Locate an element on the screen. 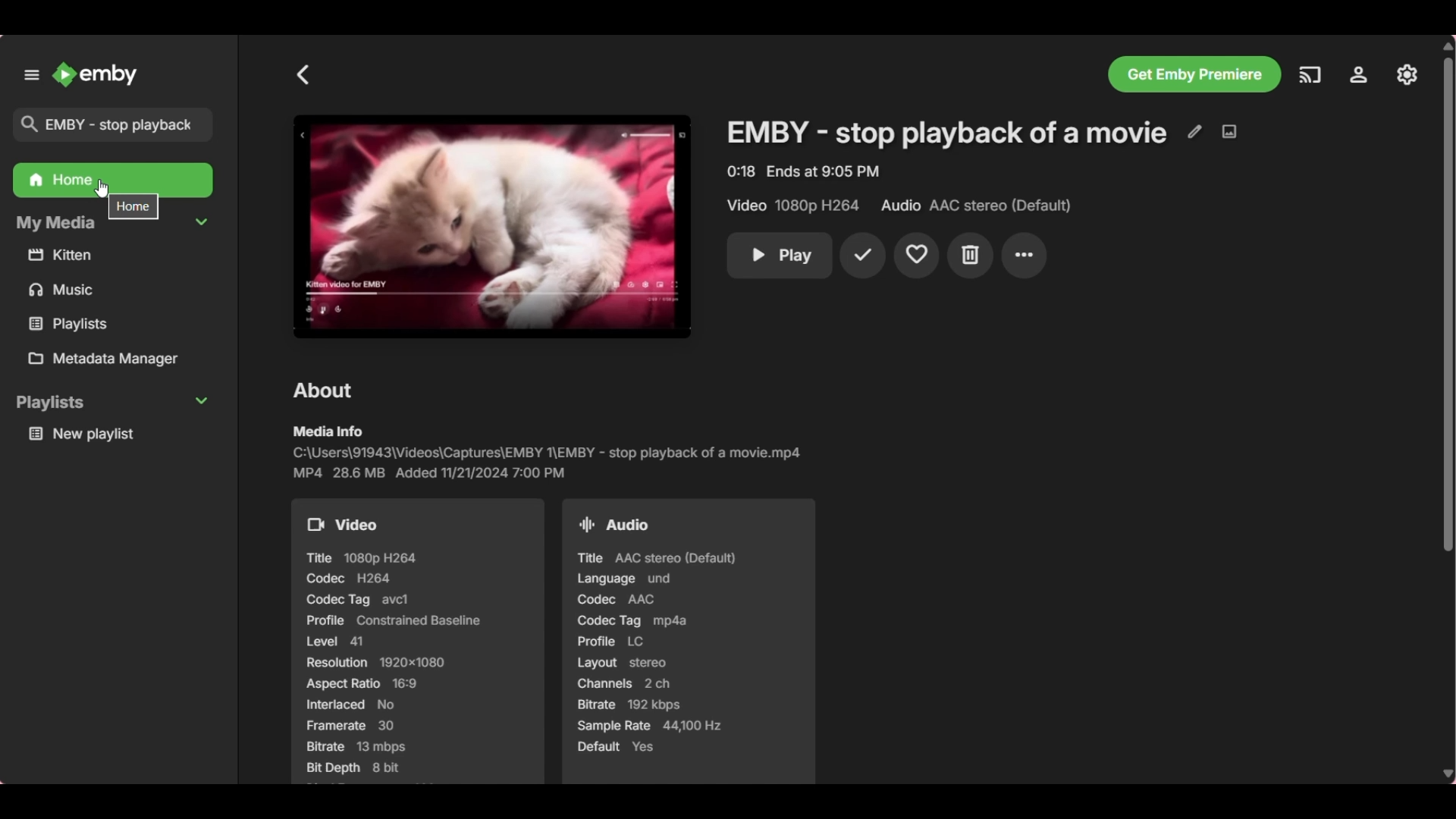 The image size is (1456, 819). Title AAC stereo (Default)
Language und

Codec AAC

Codec Tag mpda
Profile LC

Layout stereo

Channels 2 ch

Bitrate 192 kbps
Sample Rate 44,100 Hz
Default Yes is located at coordinates (674, 664).